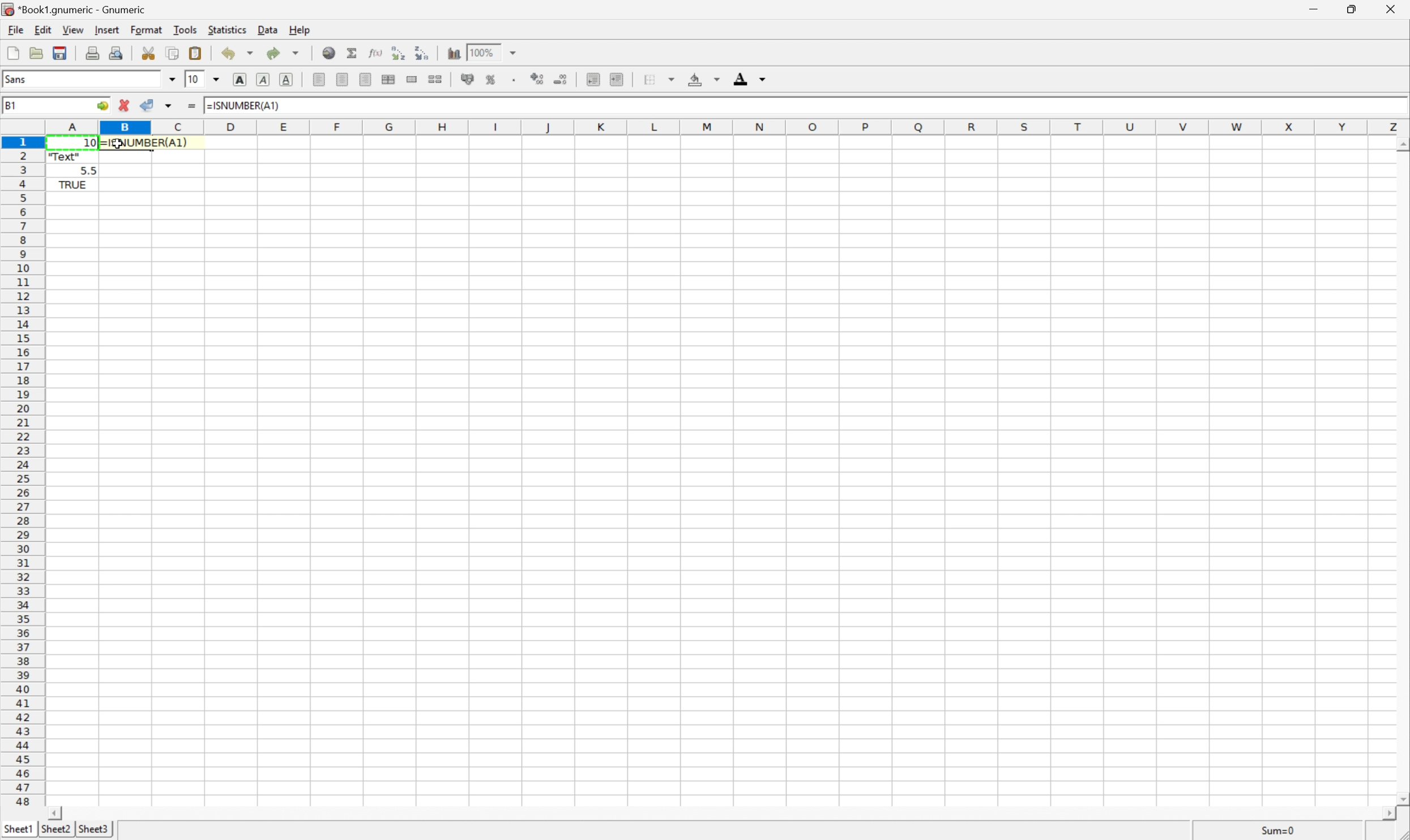 The image size is (1410, 840). I want to click on Format selection as accounting, so click(466, 79).